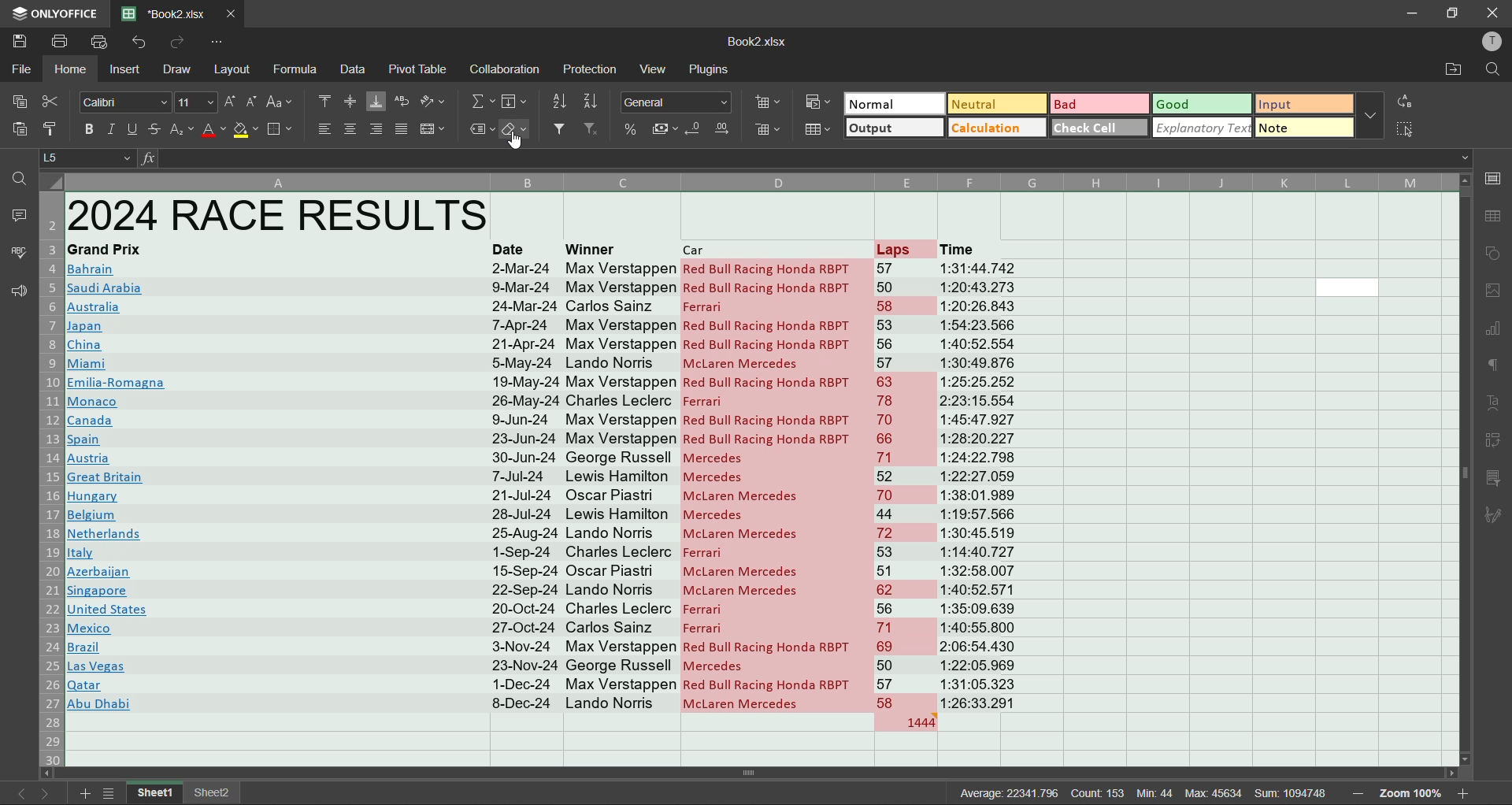 Image resolution: width=1512 pixels, height=805 pixels. Describe the element at coordinates (124, 70) in the screenshot. I see `insert` at that location.